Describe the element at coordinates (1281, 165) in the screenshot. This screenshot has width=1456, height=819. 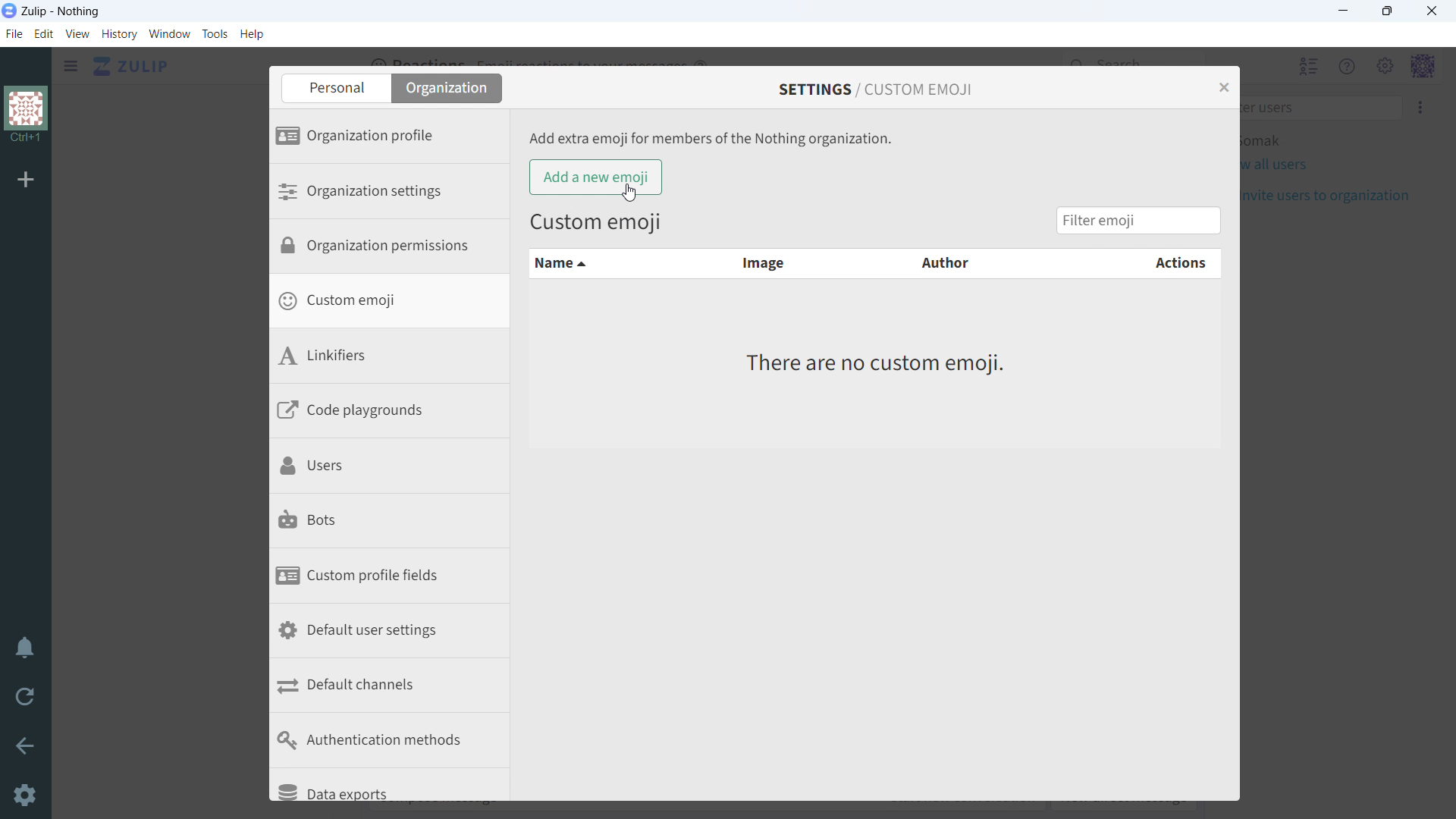
I see `view all users` at that location.